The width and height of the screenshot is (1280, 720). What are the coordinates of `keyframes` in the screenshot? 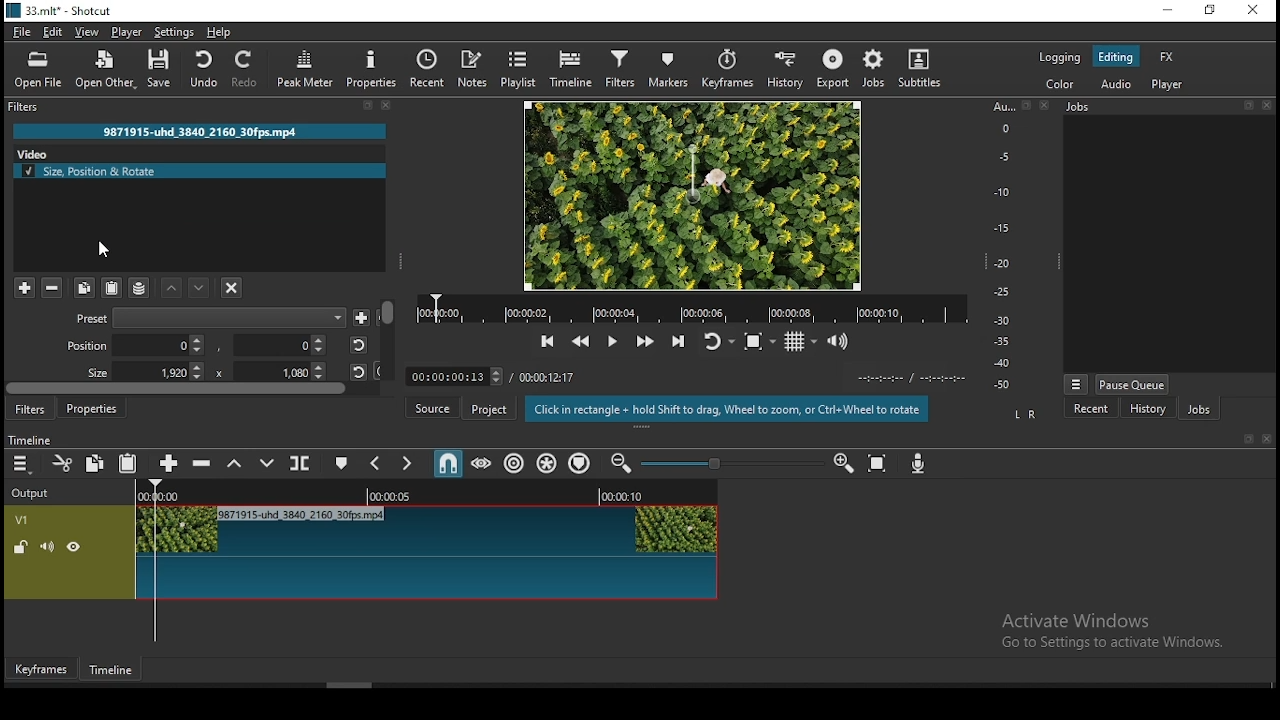 It's located at (43, 669).